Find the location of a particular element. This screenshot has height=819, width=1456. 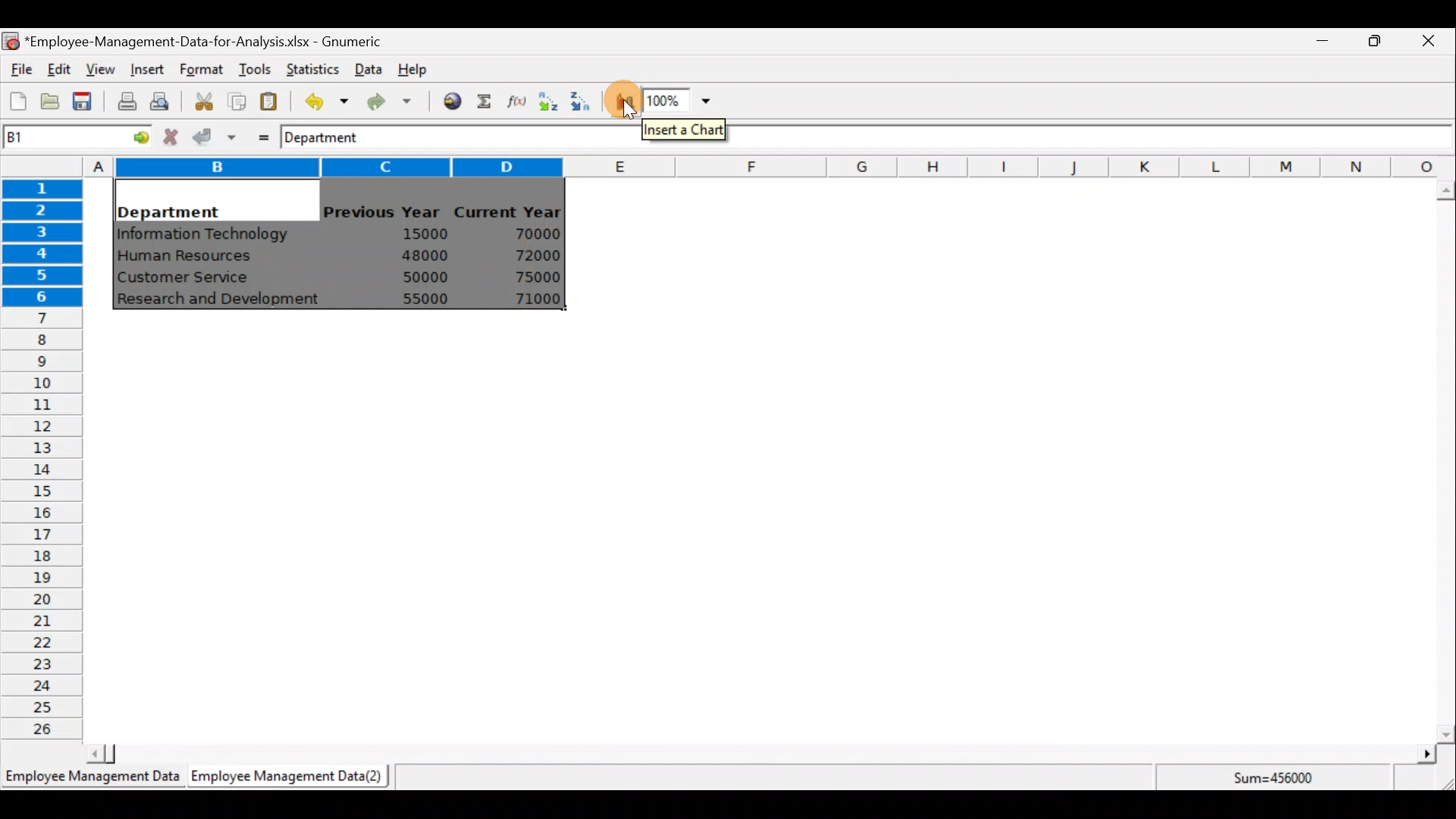

Undo last action is located at coordinates (318, 98).